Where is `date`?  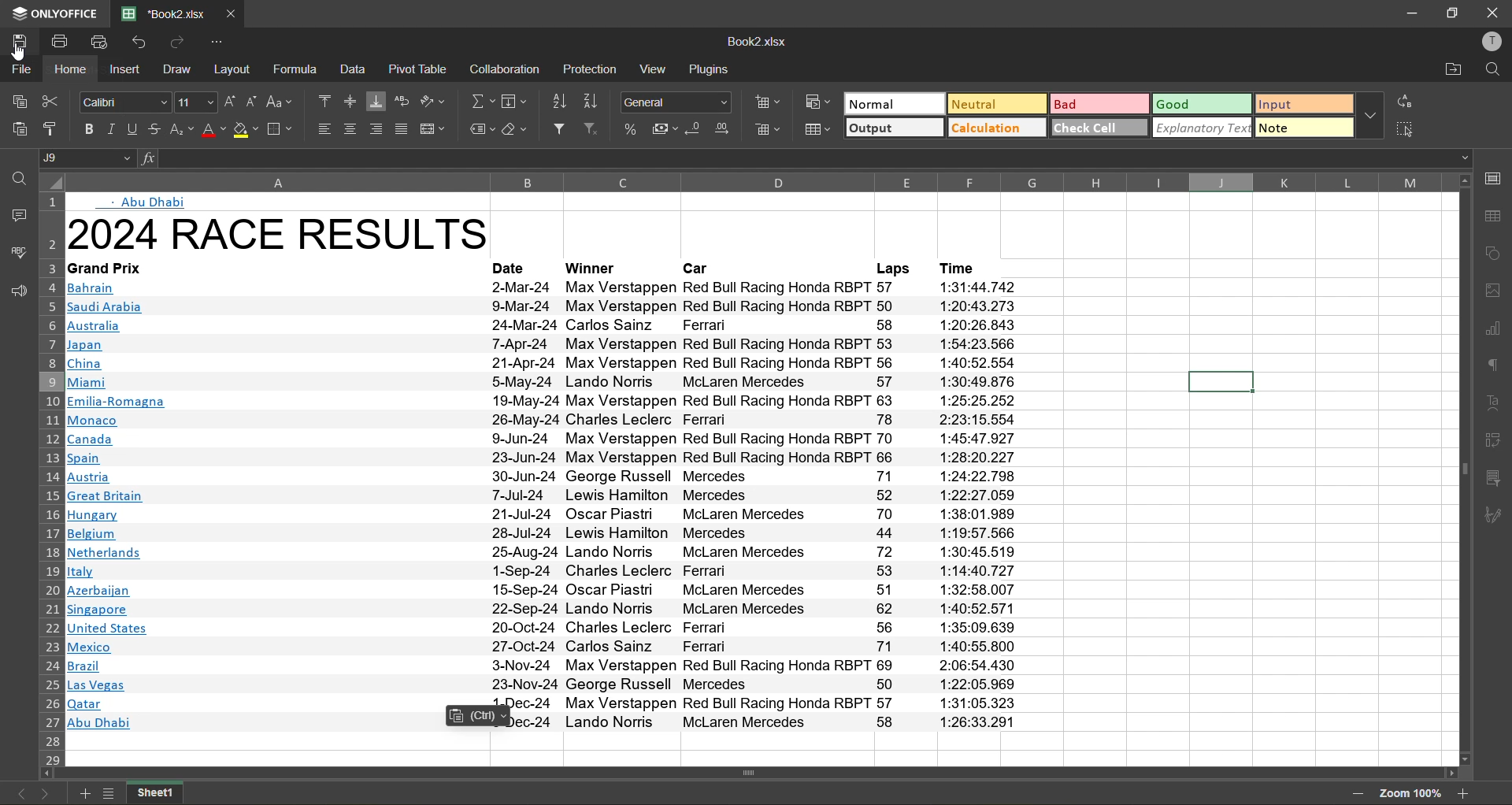 date is located at coordinates (509, 267).